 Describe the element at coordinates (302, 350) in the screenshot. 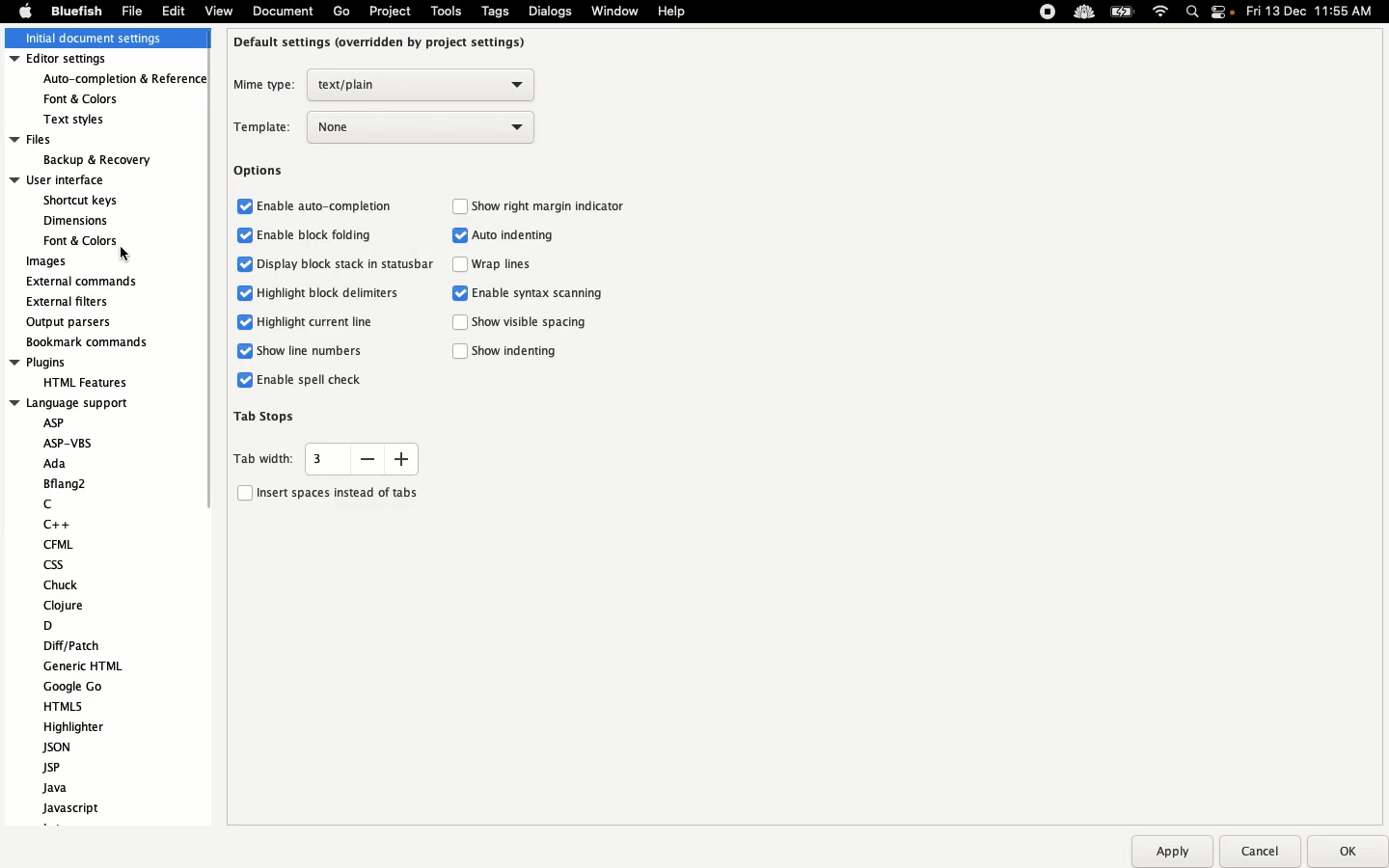

I see `Show line numbers` at that location.